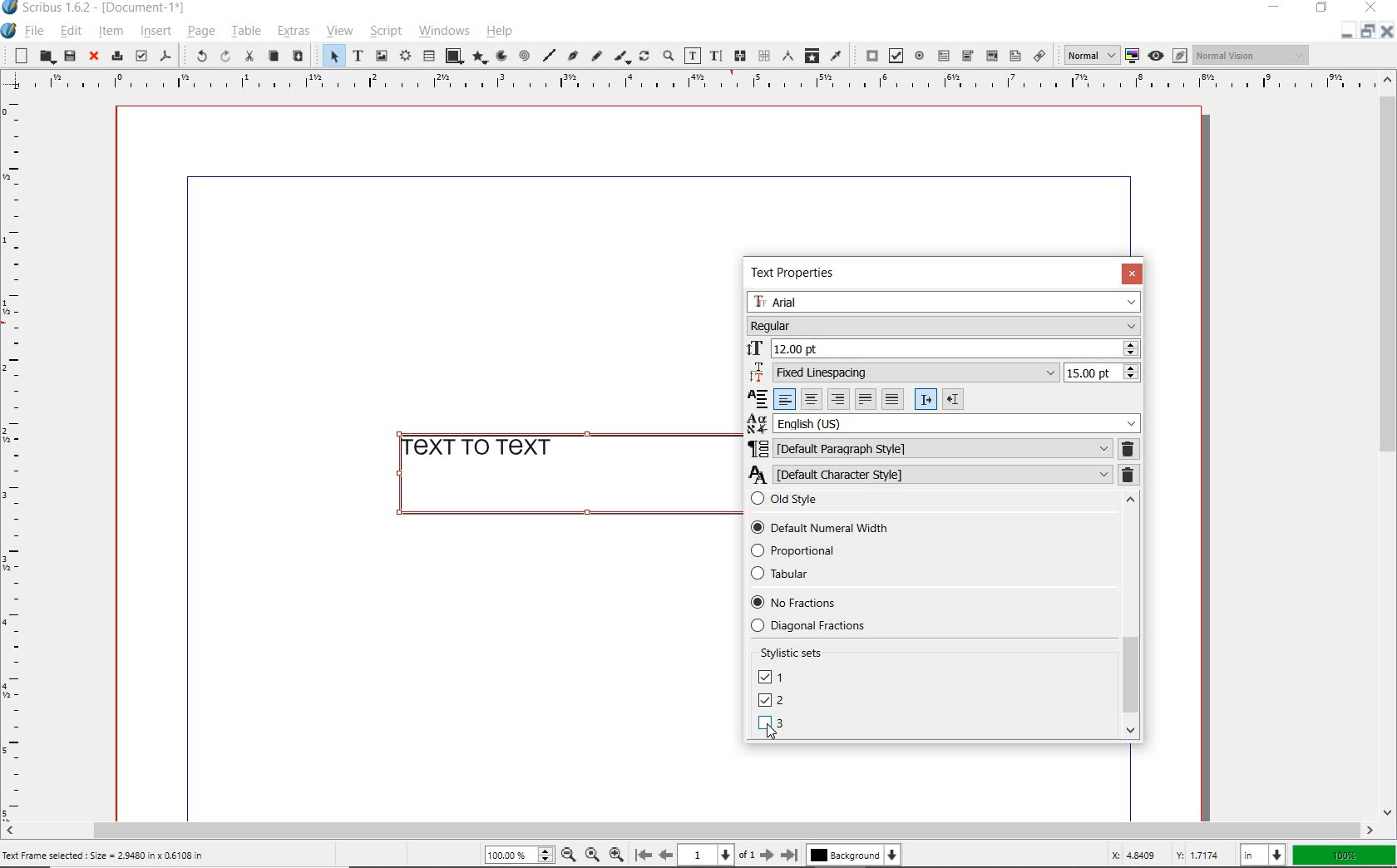  I want to click on edit contents of frame, so click(693, 57).